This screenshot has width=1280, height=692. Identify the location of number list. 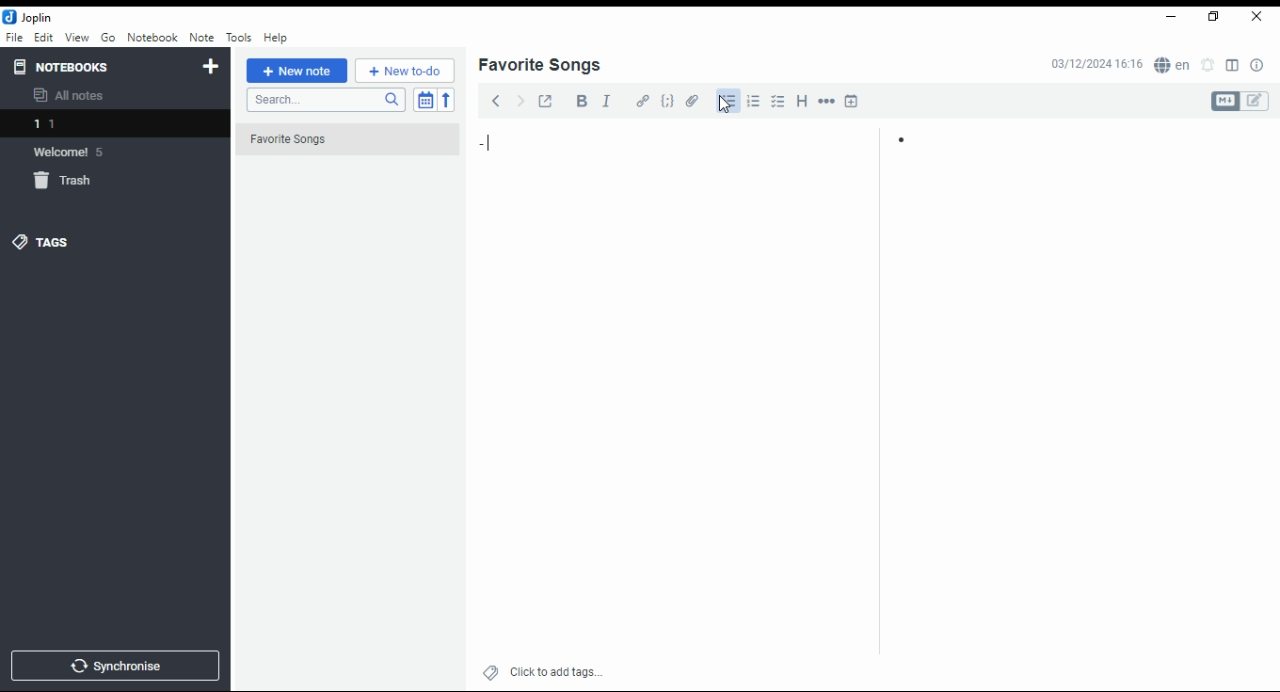
(754, 100).